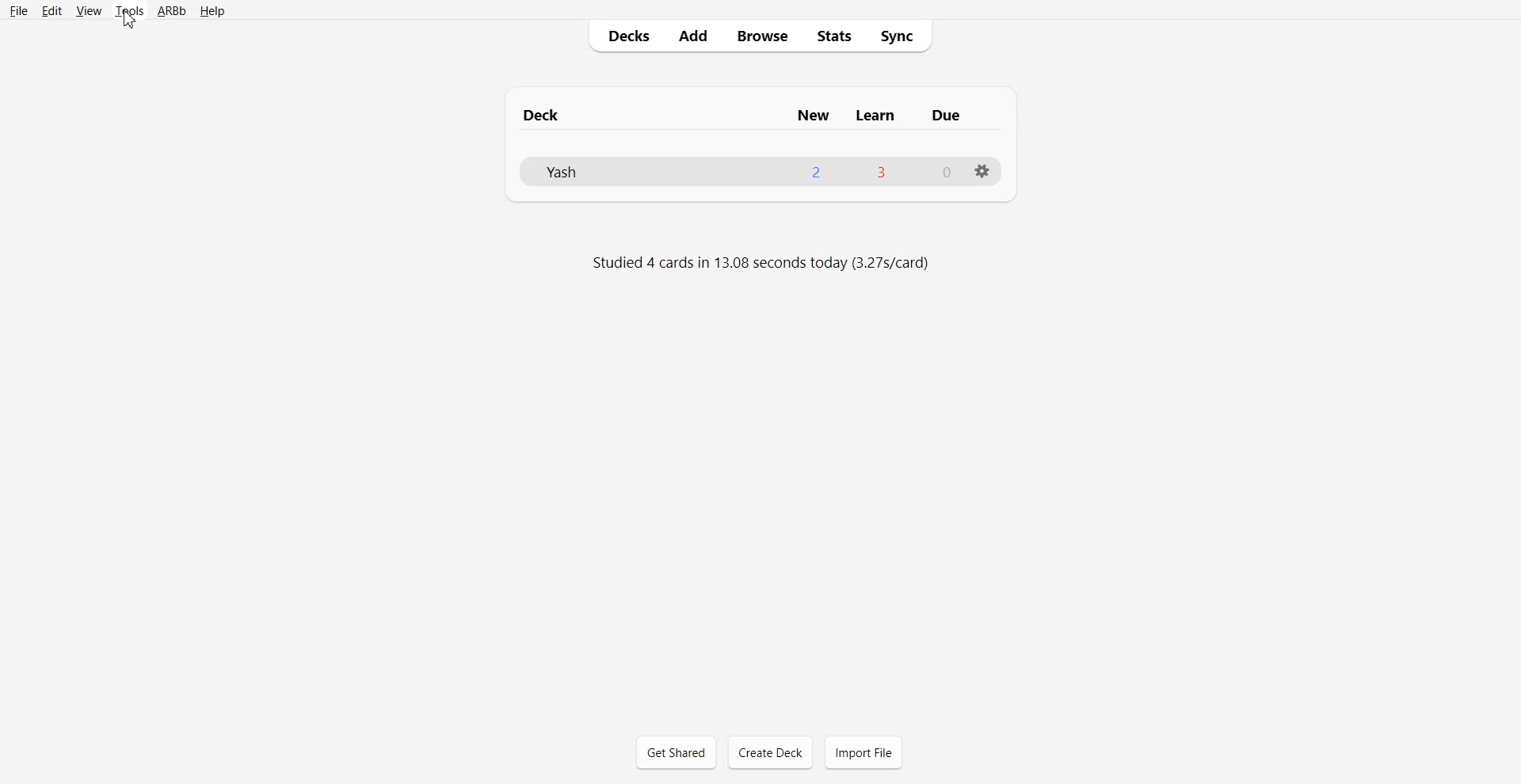 The height and width of the screenshot is (784, 1521). I want to click on Cursor, so click(129, 18).